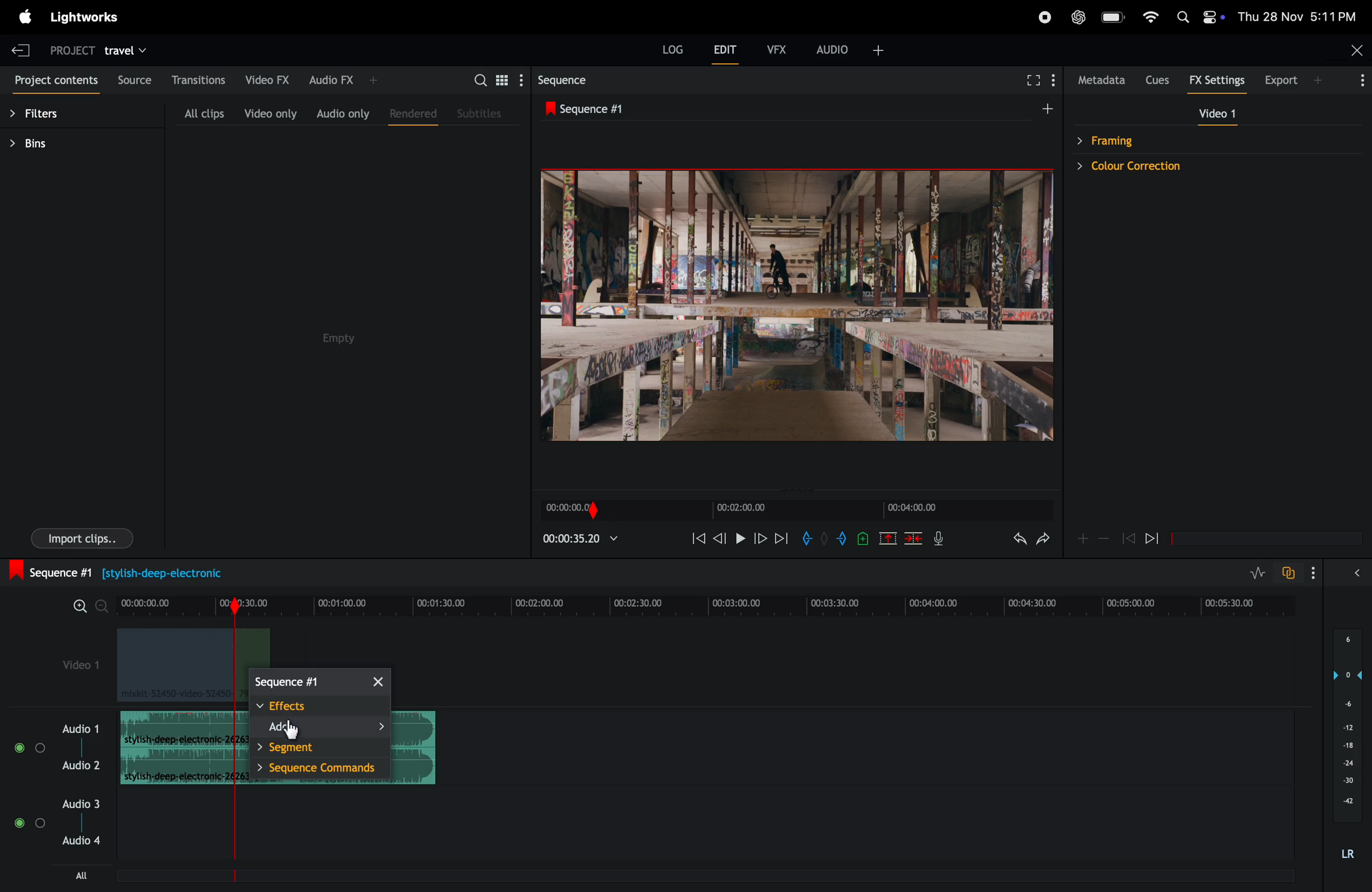 This screenshot has height=892, width=1372. Describe the element at coordinates (576, 80) in the screenshot. I see `sequence` at that location.